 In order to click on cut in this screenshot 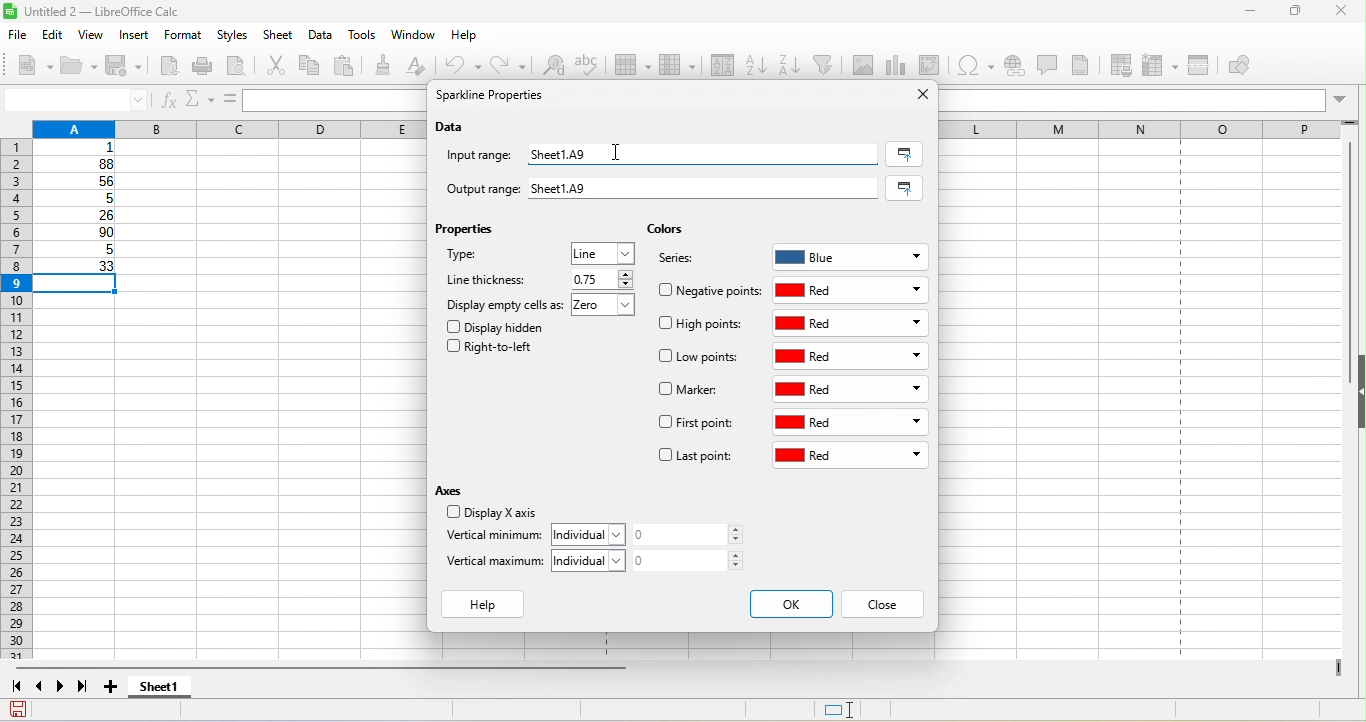, I will do `click(279, 67)`.